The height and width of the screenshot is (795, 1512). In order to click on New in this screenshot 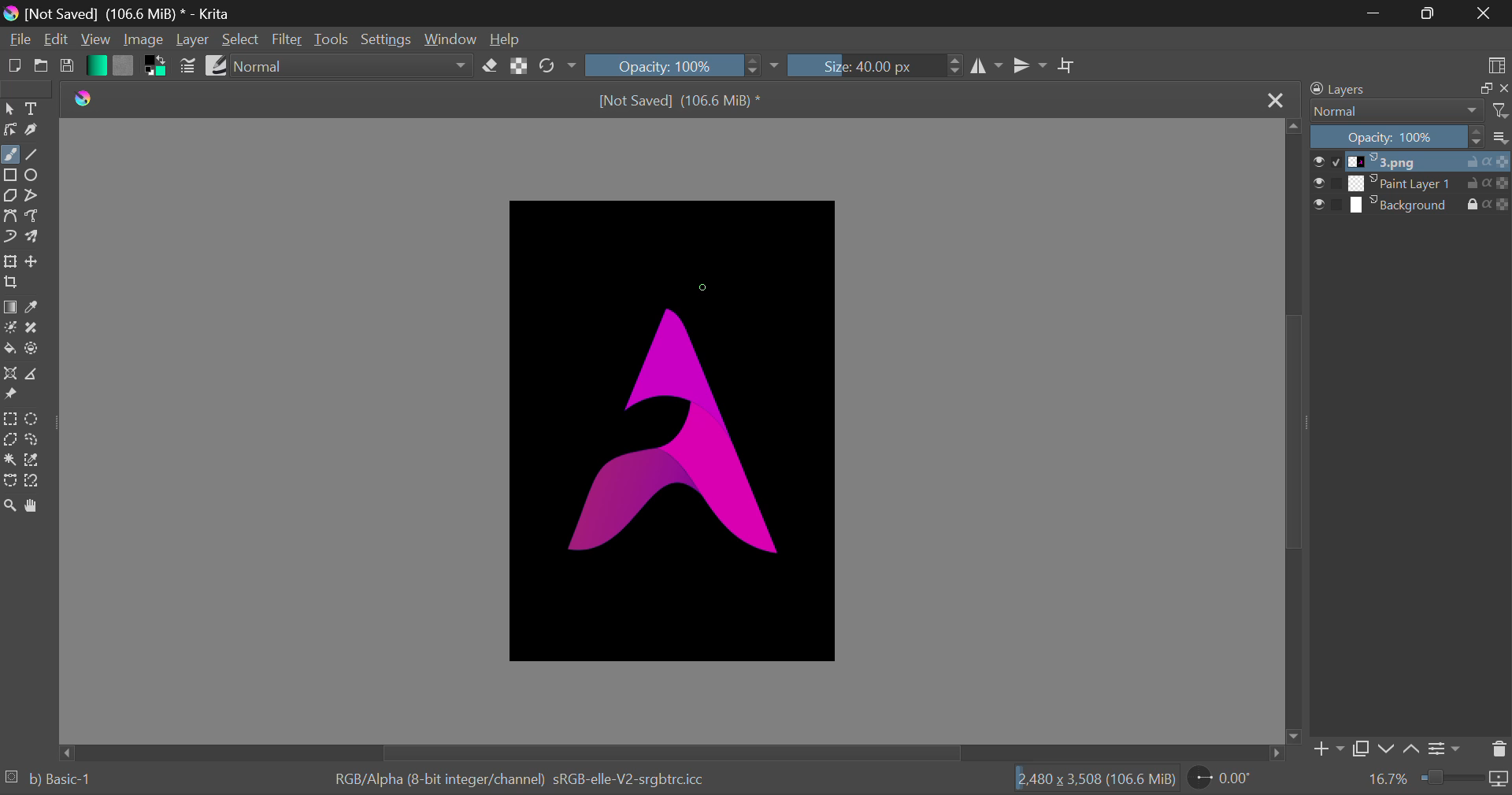, I will do `click(14, 68)`.